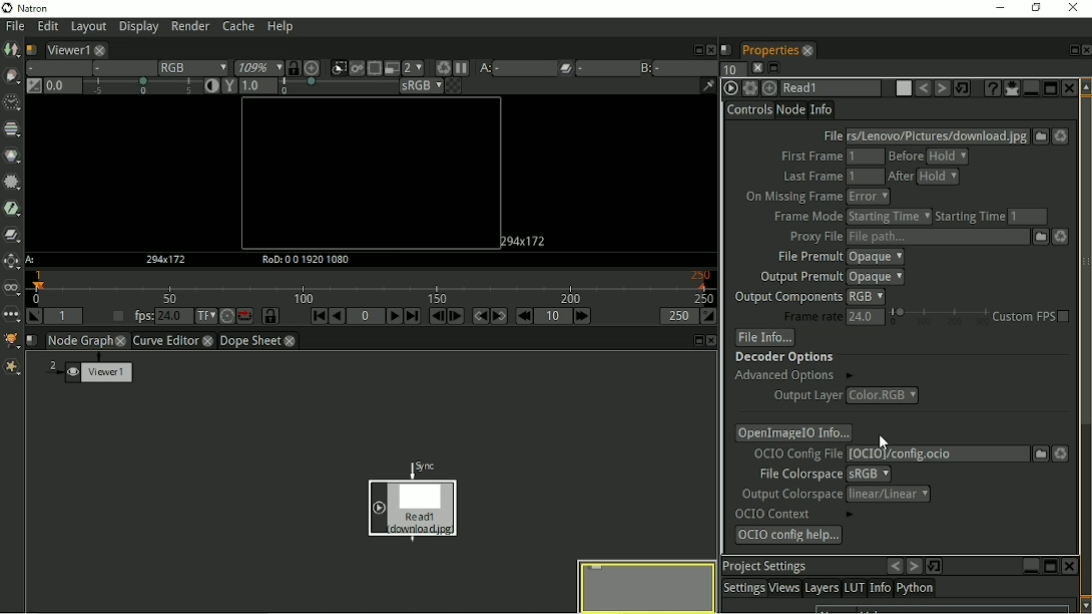  Describe the element at coordinates (439, 67) in the screenshot. I see `Force a new render` at that location.